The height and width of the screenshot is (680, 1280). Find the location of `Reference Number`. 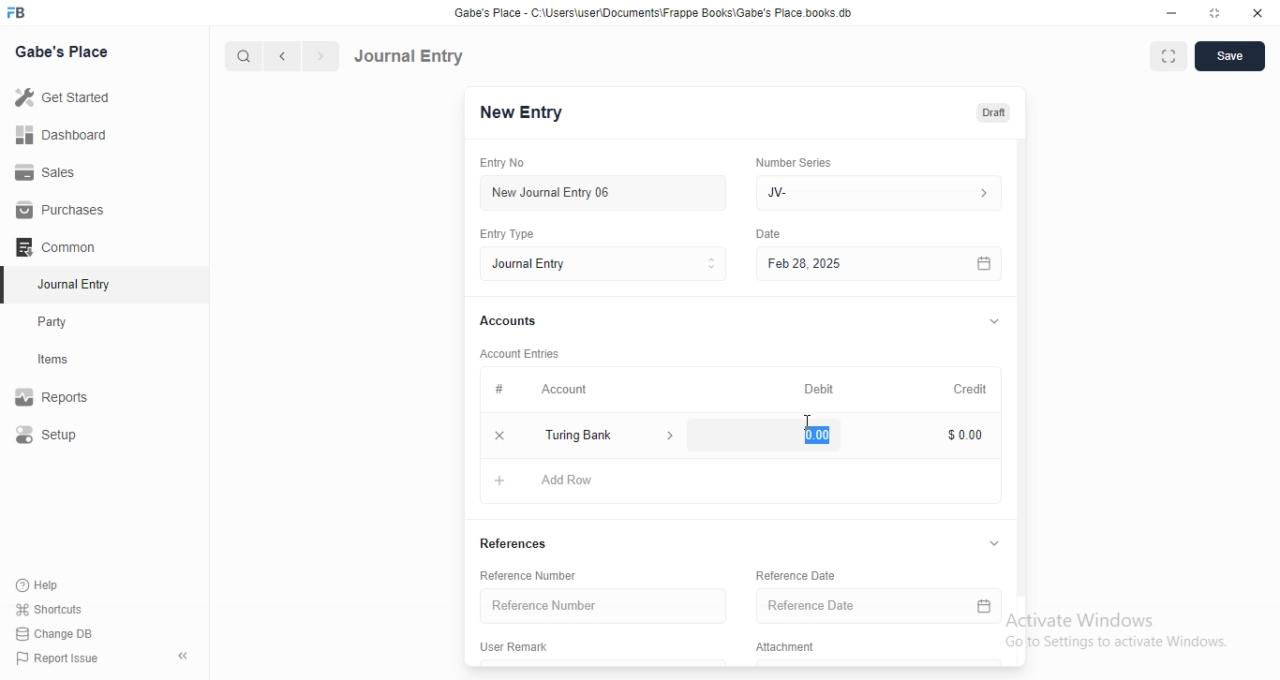

Reference Number is located at coordinates (537, 576).